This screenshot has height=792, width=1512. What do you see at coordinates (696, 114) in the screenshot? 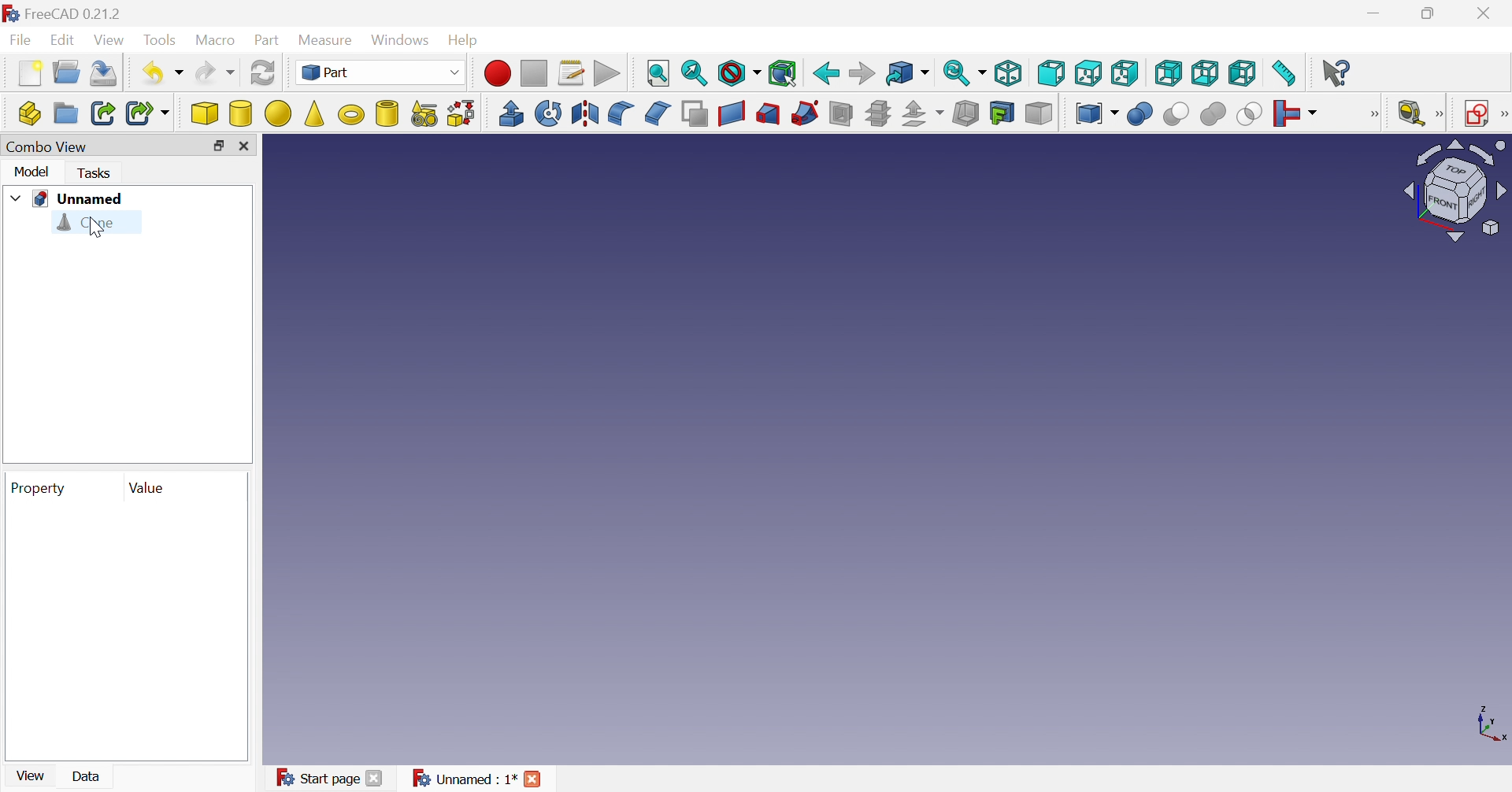
I see `Make face from wires` at bounding box center [696, 114].